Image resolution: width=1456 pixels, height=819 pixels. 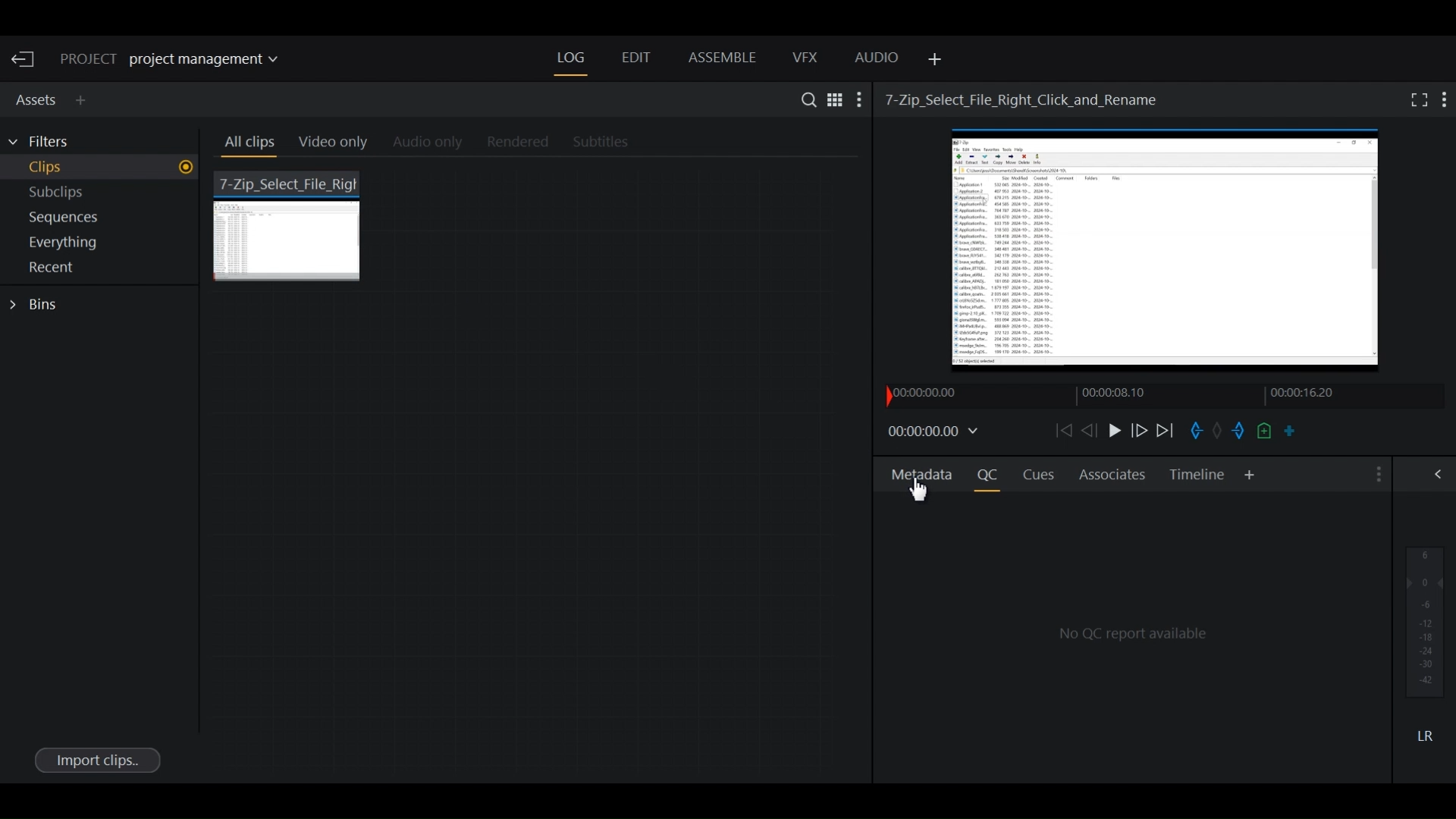 What do you see at coordinates (861, 99) in the screenshot?
I see `Show settings menu` at bounding box center [861, 99].